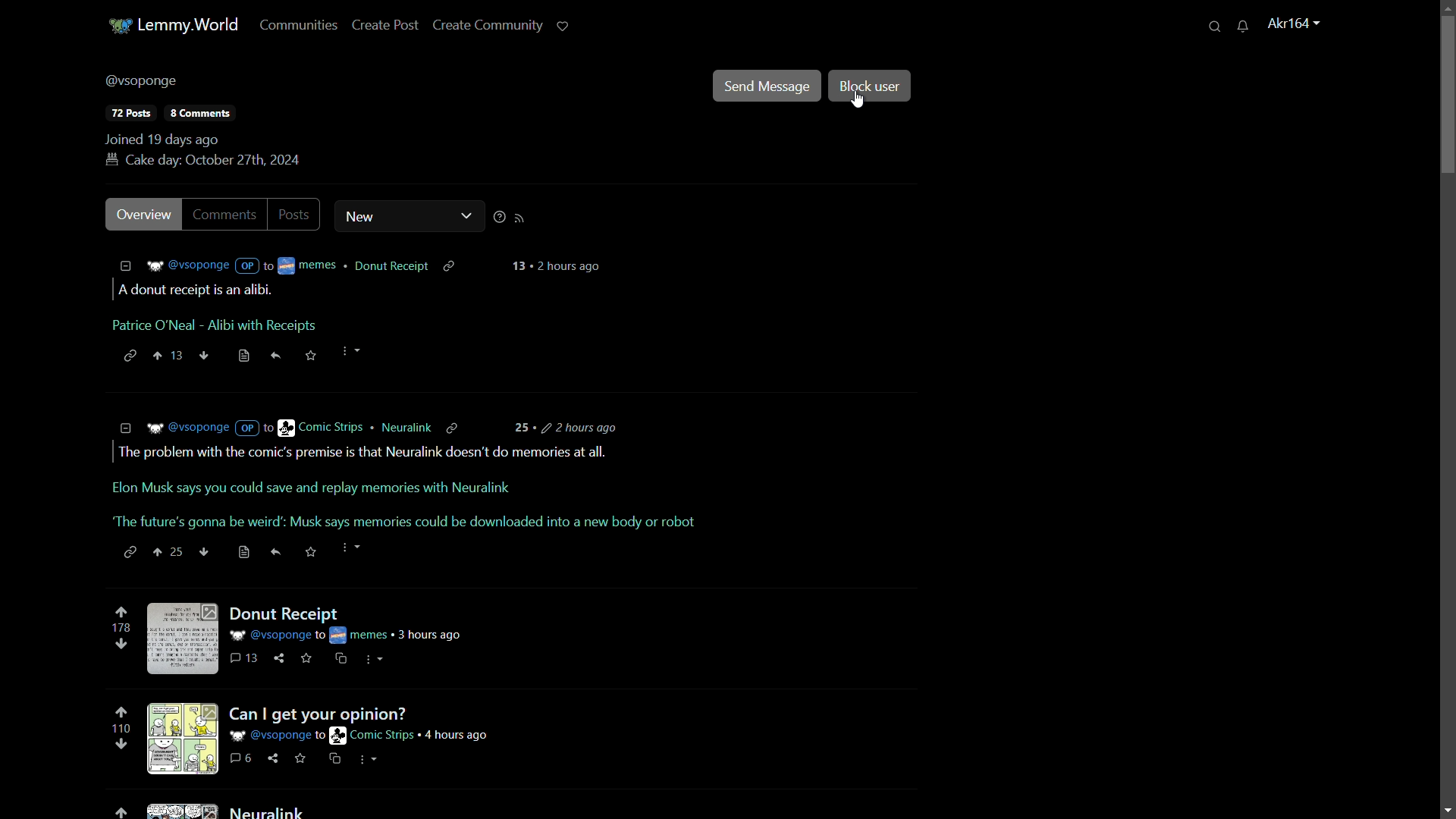  Describe the element at coordinates (241, 355) in the screenshot. I see `save` at that location.